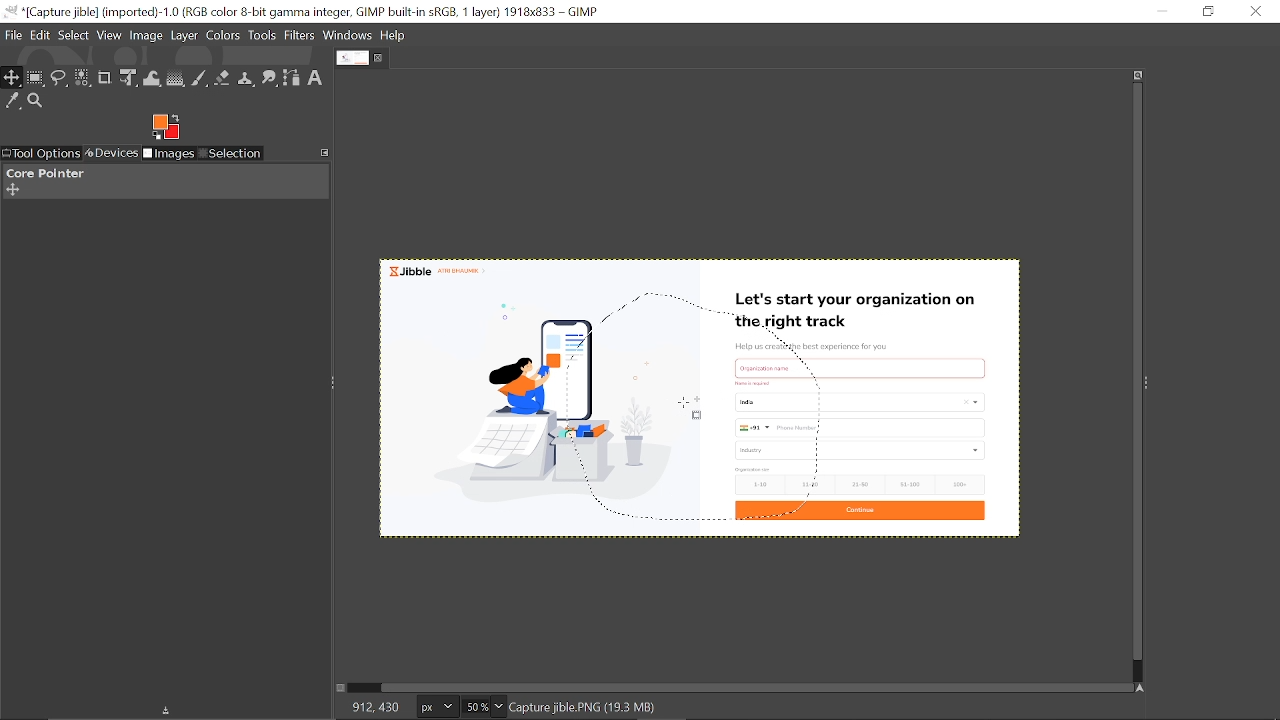 This screenshot has width=1280, height=720. I want to click on Close tab, so click(380, 58).